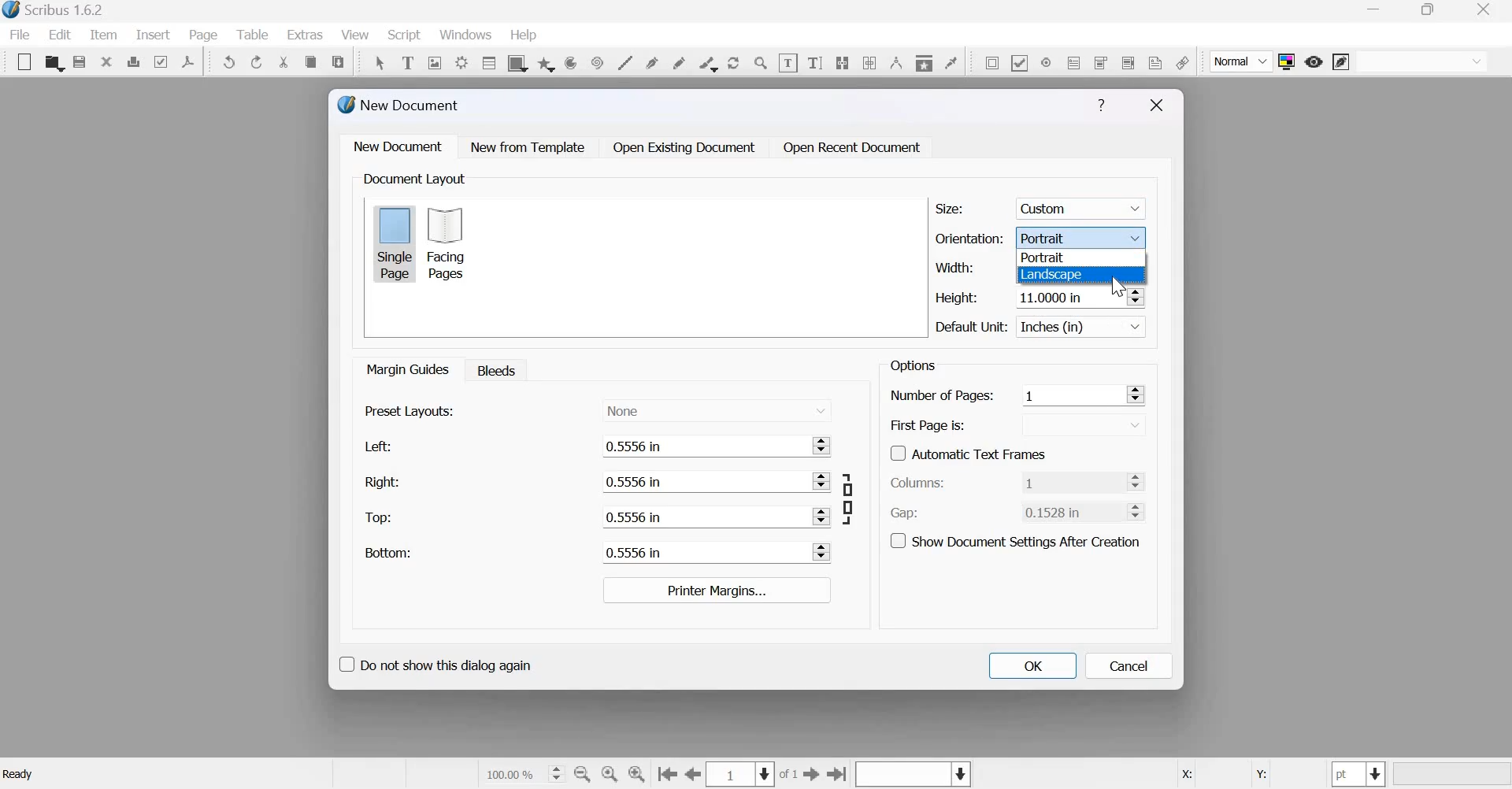 Image resolution: width=1512 pixels, height=789 pixels. Describe the element at coordinates (57, 11) in the screenshot. I see `Scribus 1.6.2 - [Document-1]` at that location.